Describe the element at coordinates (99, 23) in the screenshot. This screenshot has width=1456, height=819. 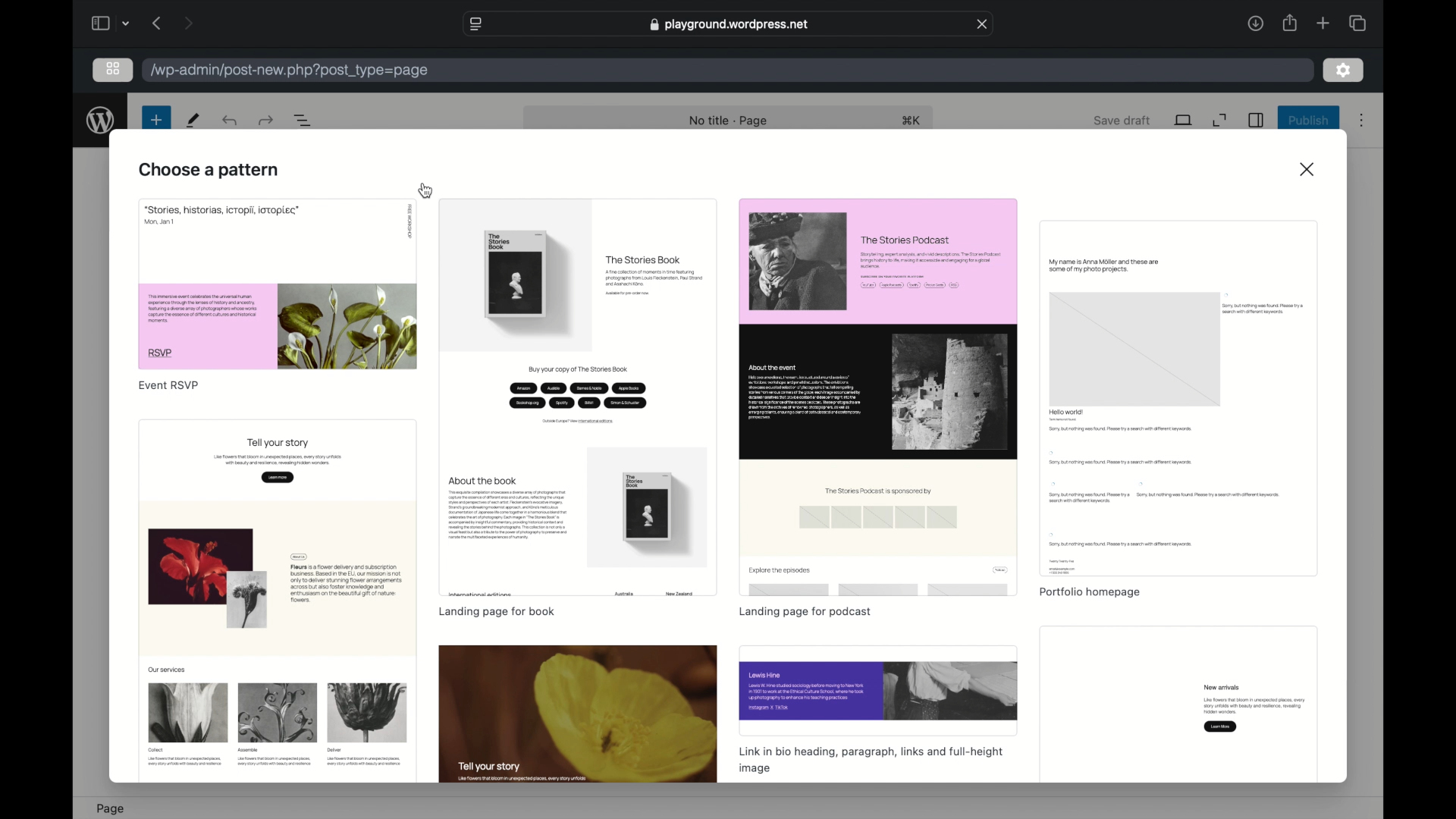
I see `sidebar` at that location.